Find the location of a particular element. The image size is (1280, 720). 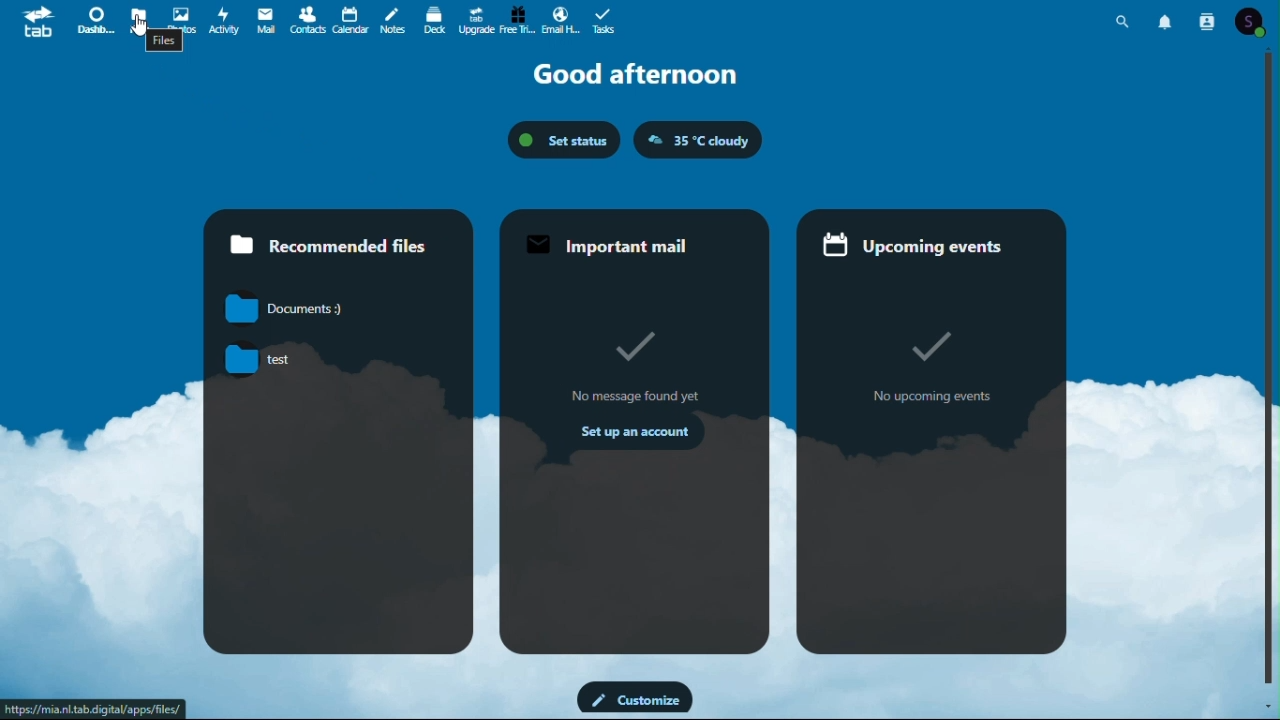

test is located at coordinates (249, 358).